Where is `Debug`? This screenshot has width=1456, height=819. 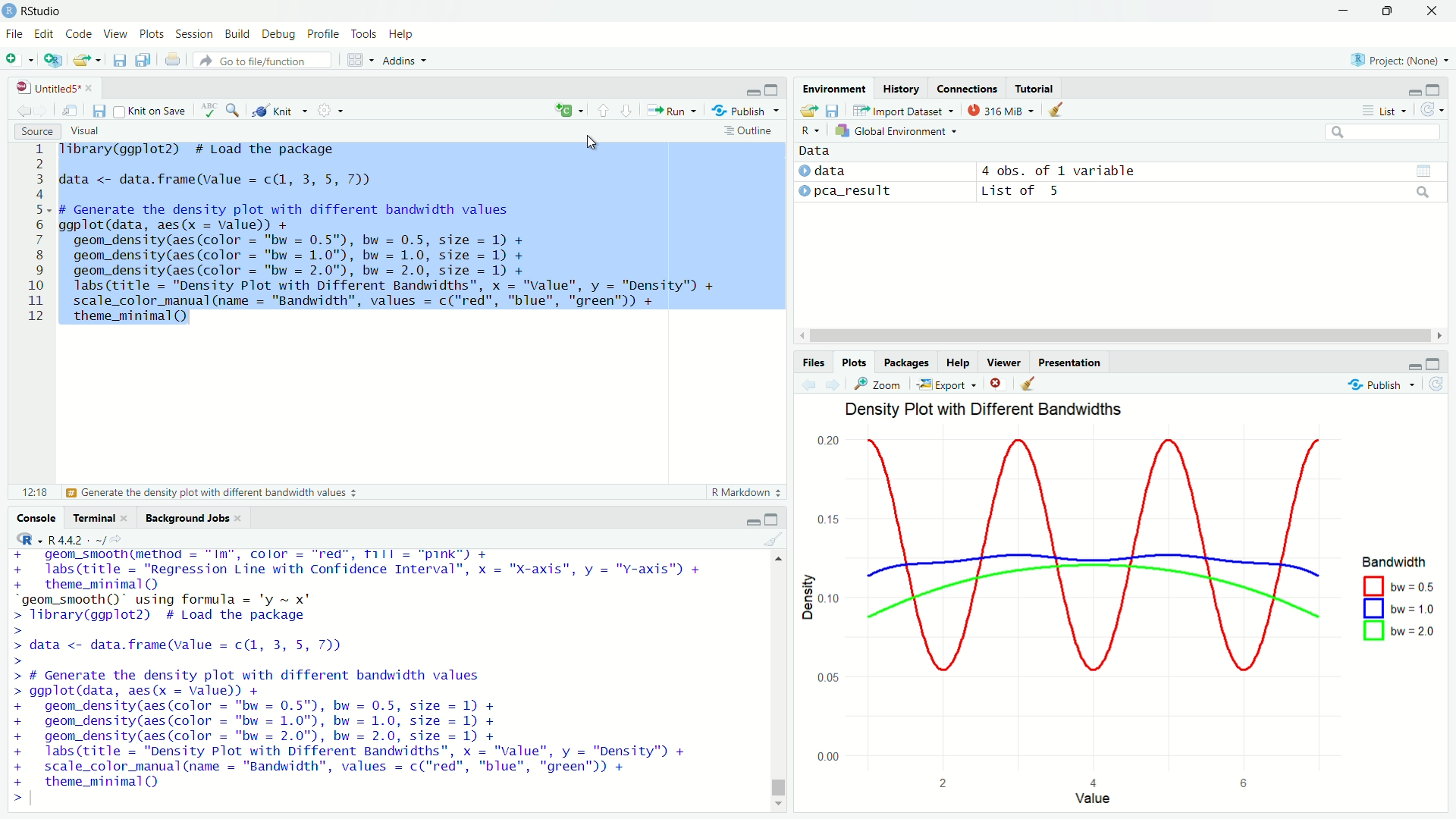
Debug is located at coordinates (278, 34).